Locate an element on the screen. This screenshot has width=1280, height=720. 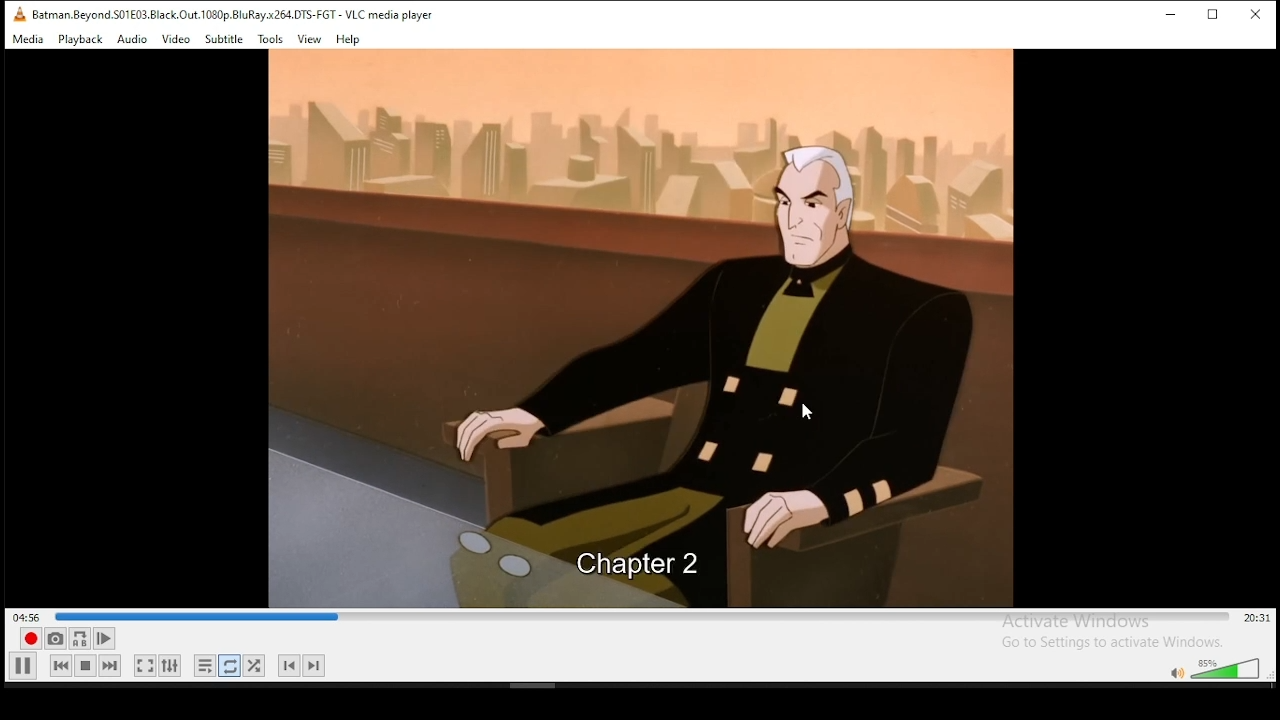
maximize is located at coordinates (1219, 16).